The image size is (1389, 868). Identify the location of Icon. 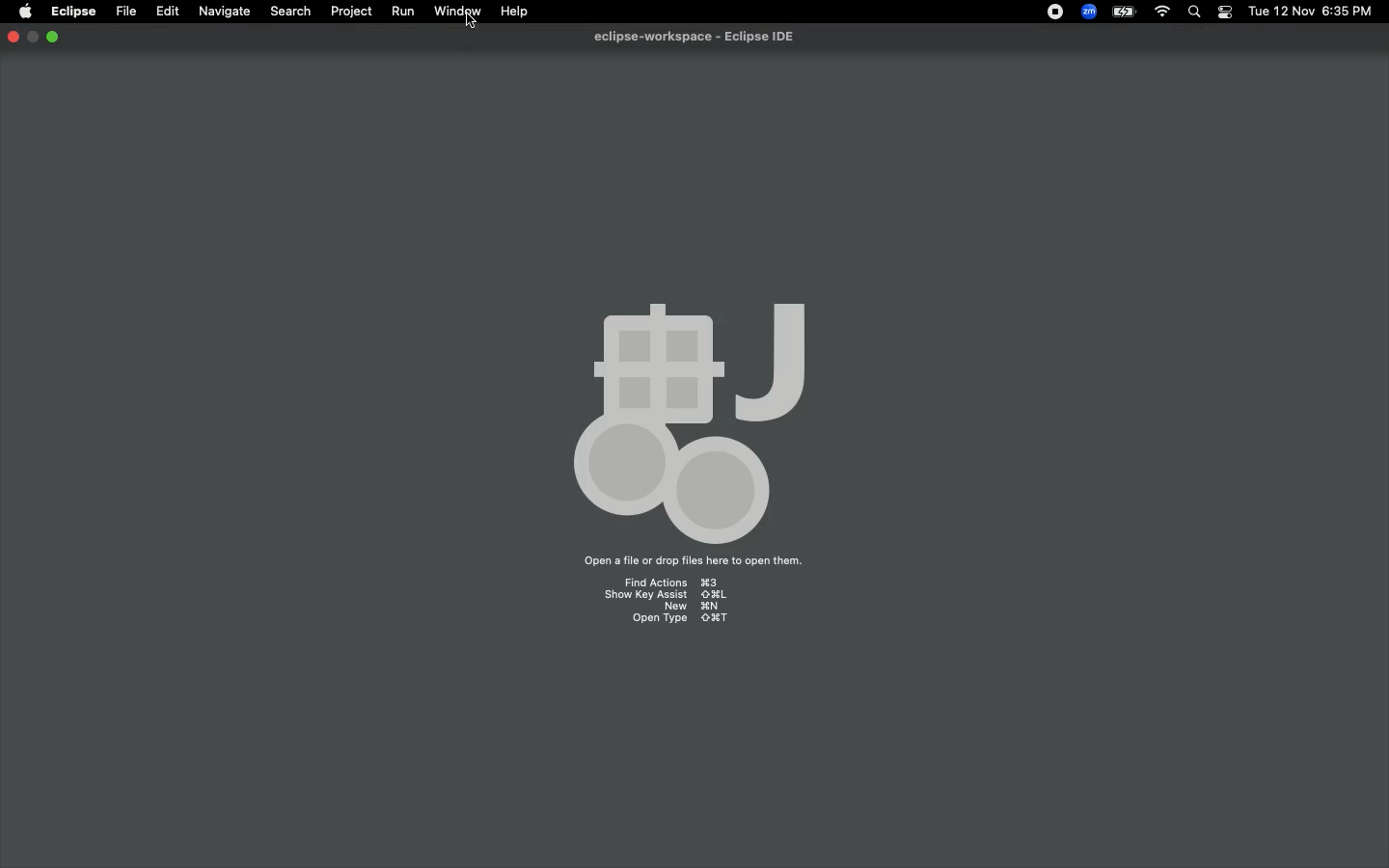
(697, 415).